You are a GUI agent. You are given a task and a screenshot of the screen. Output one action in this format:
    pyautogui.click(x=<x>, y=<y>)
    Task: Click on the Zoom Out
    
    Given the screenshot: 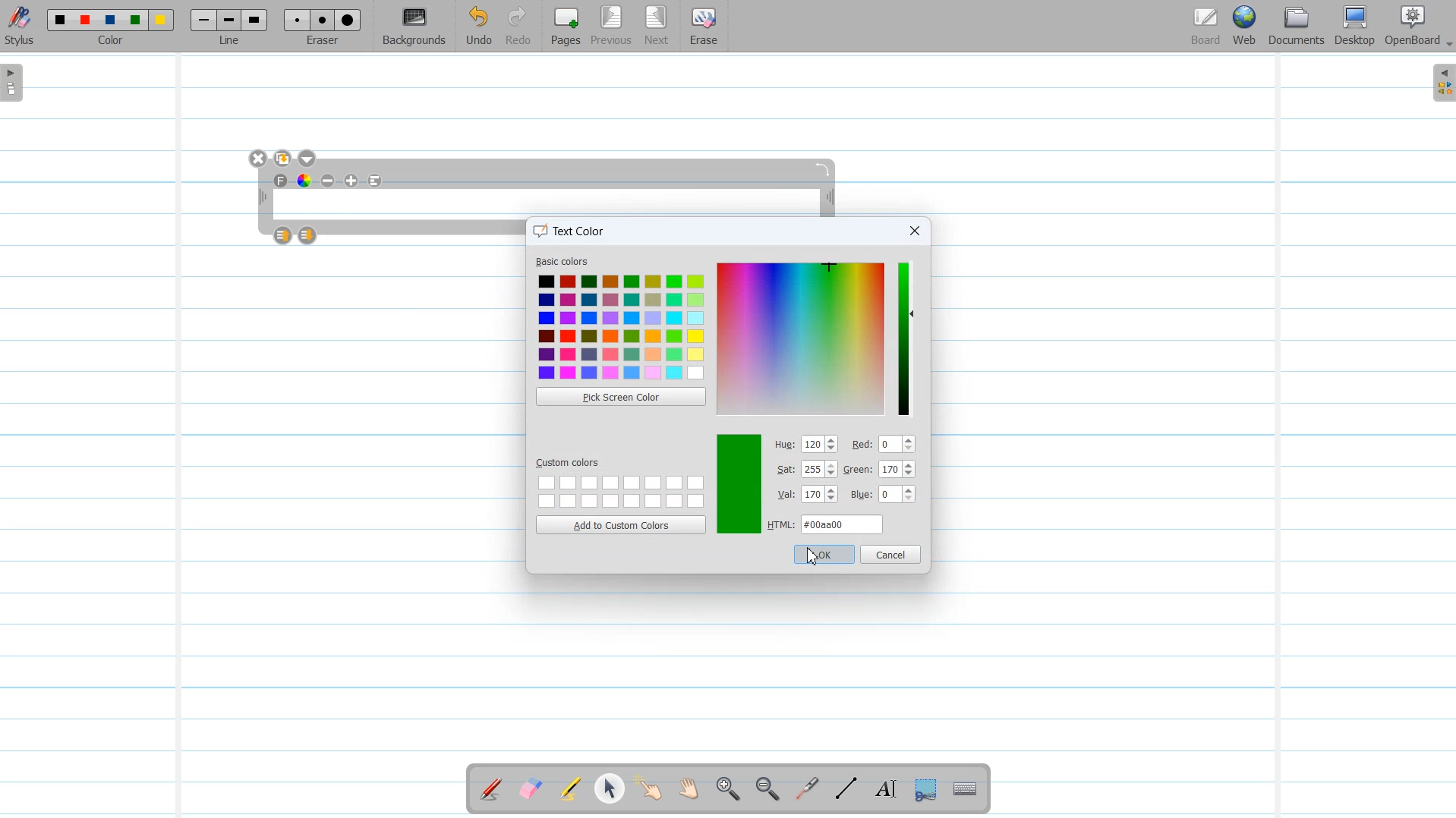 What is the action you would take?
    pyautogui.click(x=764, y=790)
    